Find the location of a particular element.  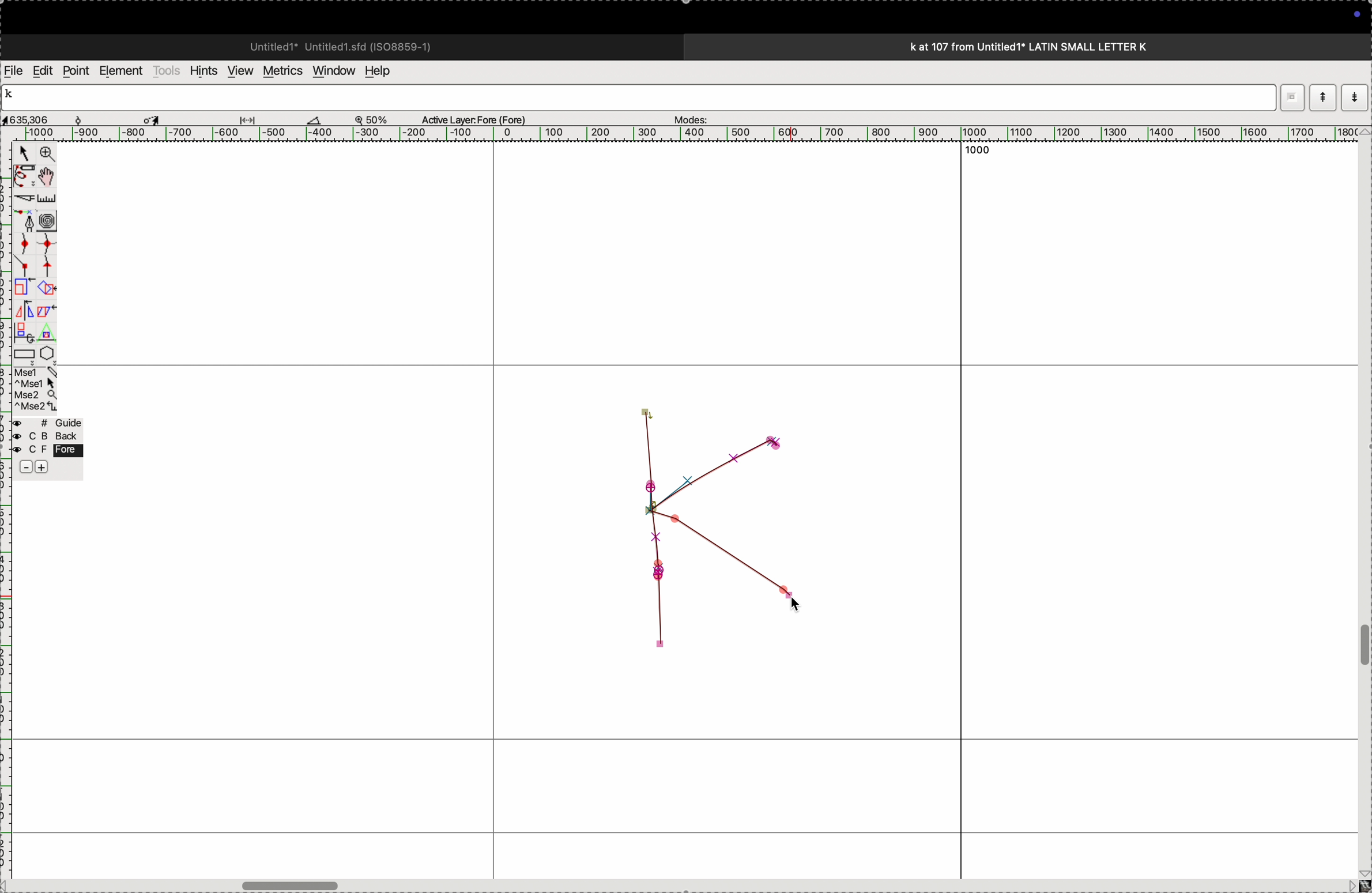

modeup is located at coordinates (1322, 97).